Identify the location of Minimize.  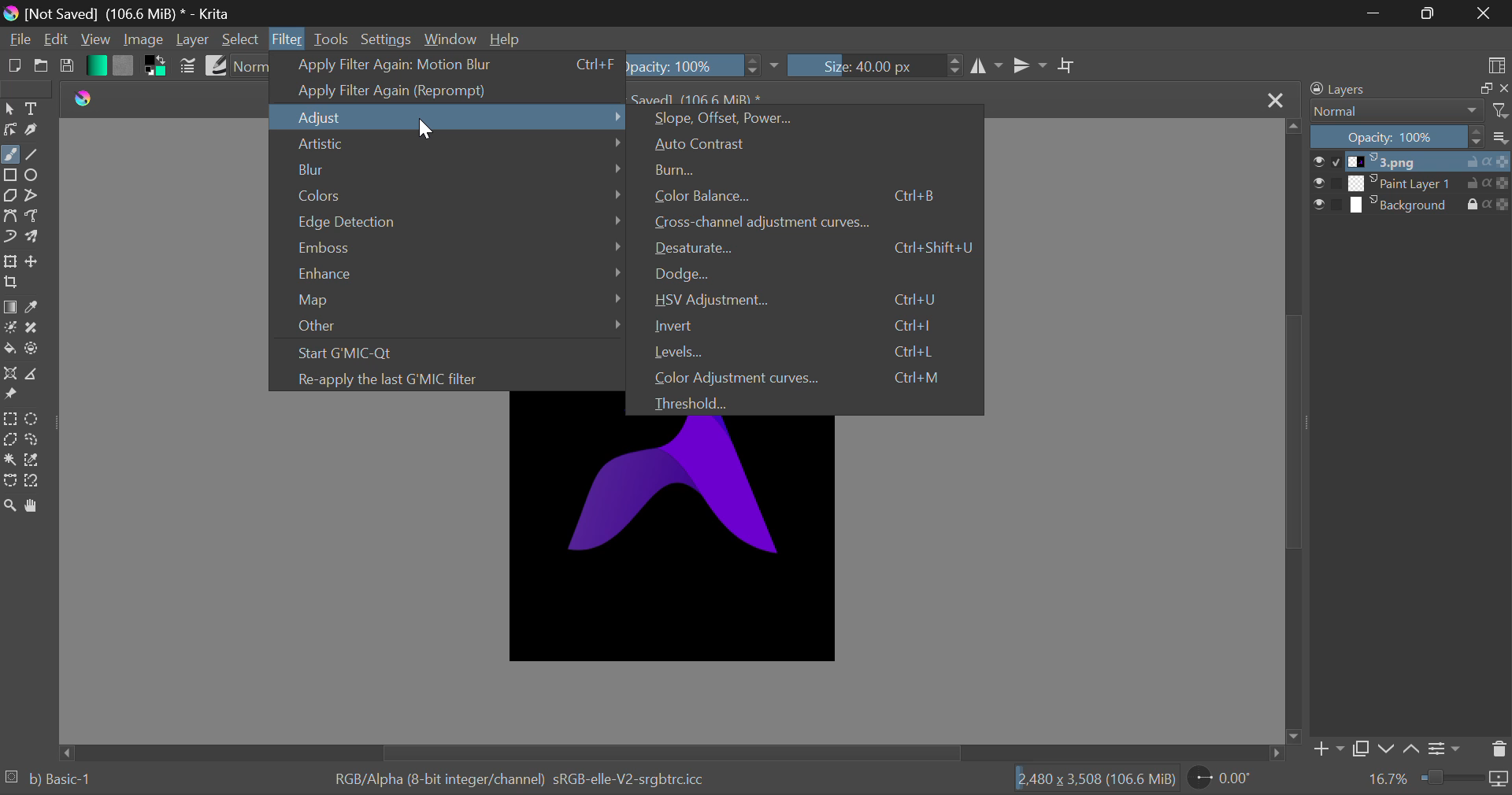
(1426, 13).